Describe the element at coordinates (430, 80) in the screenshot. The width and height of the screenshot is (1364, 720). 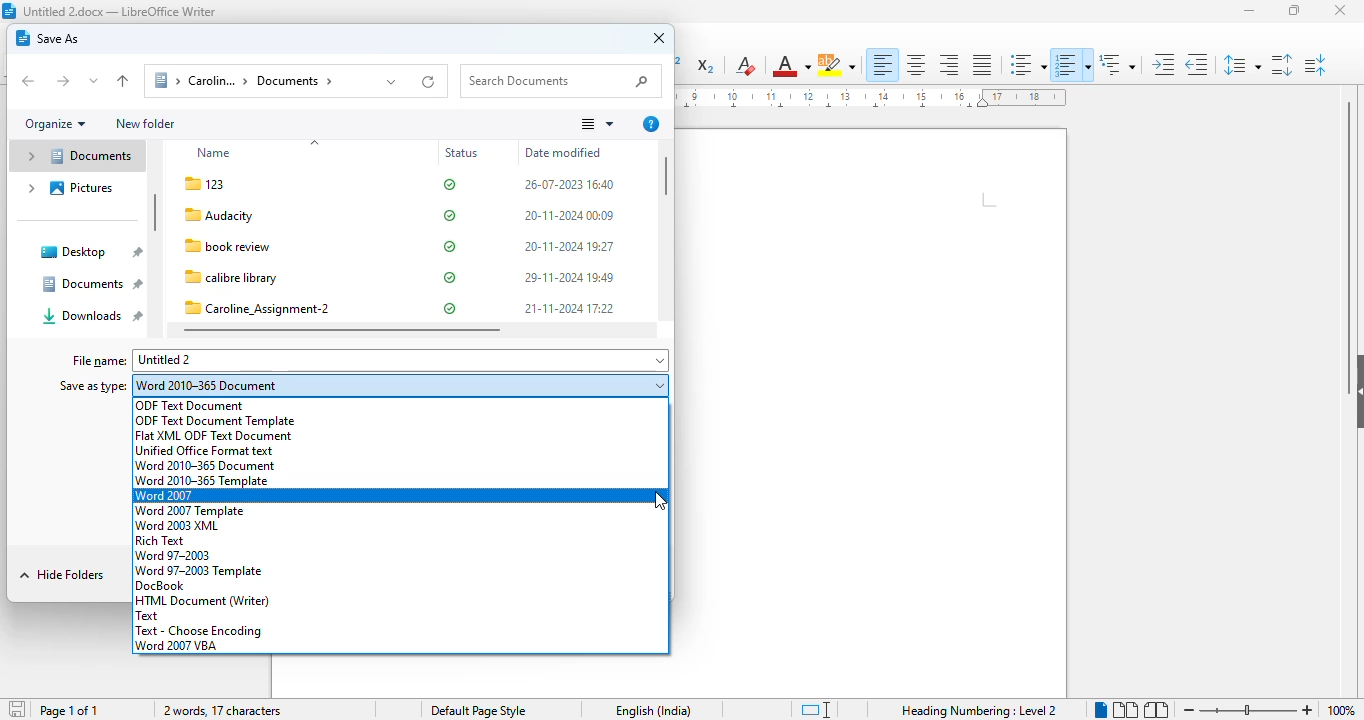
I see `refresh "documents"` at that location.